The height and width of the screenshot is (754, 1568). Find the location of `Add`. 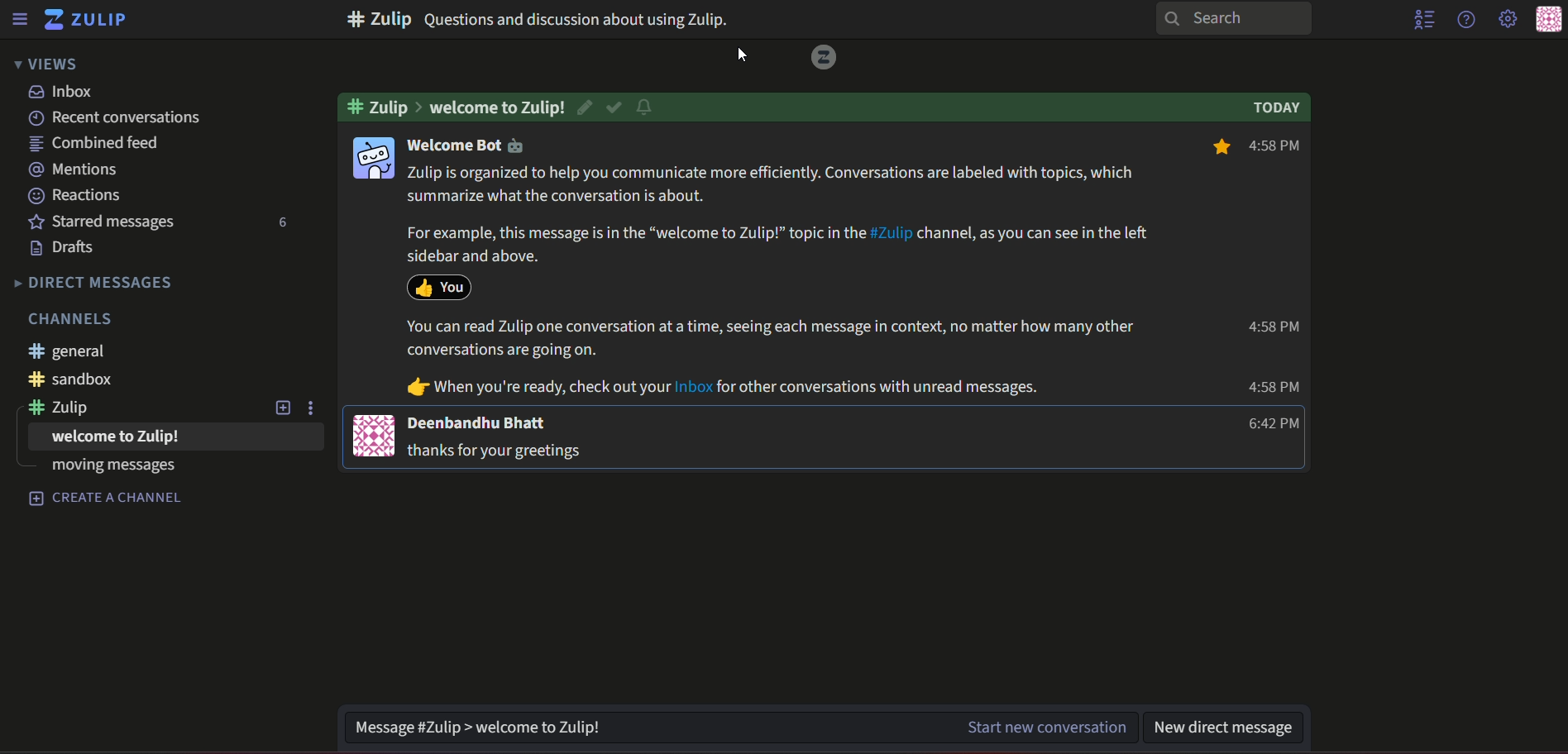

Add is located at coordinates (280, 408).